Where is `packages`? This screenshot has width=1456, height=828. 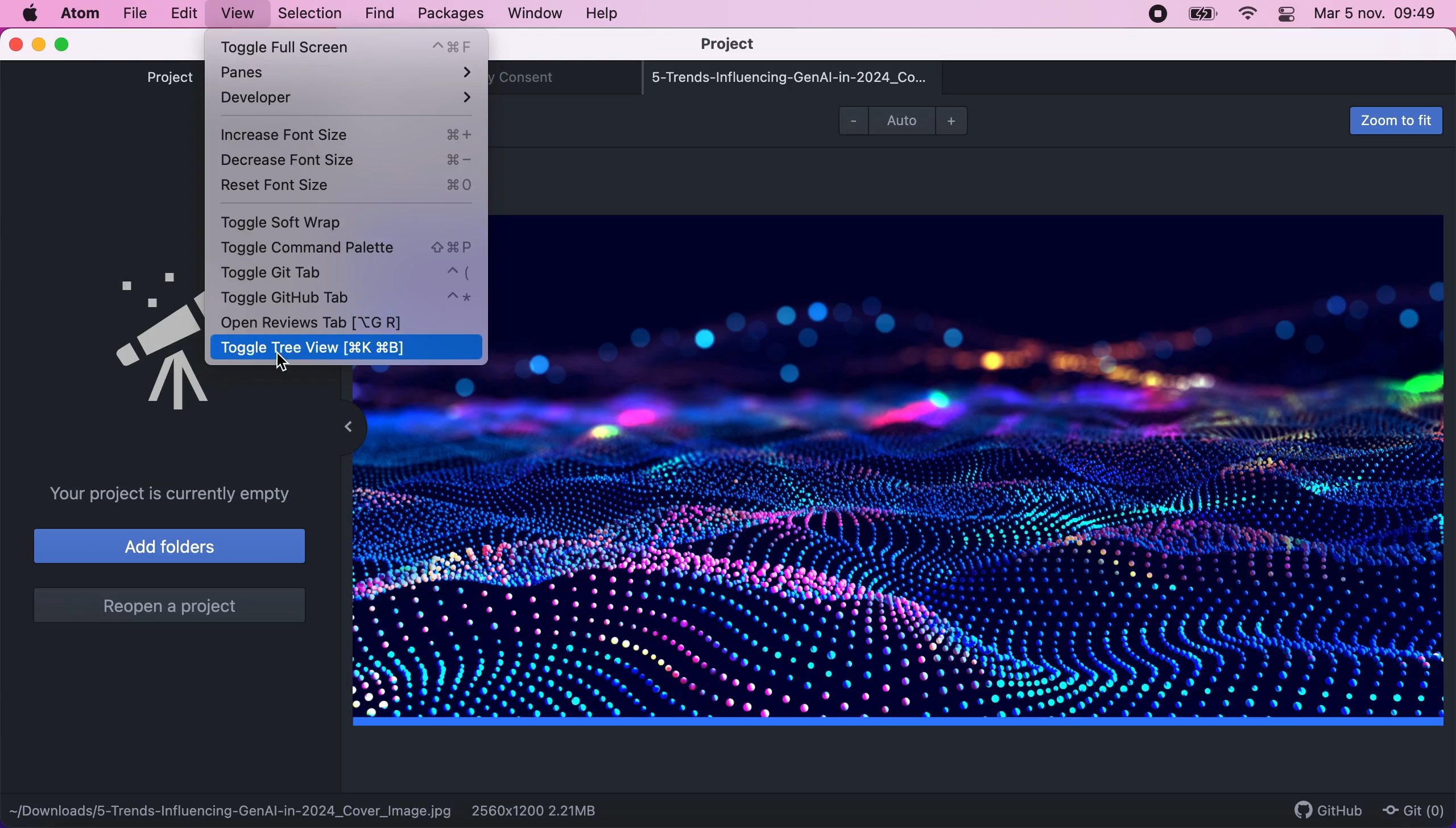
packages is located at coordinates (448, 15).